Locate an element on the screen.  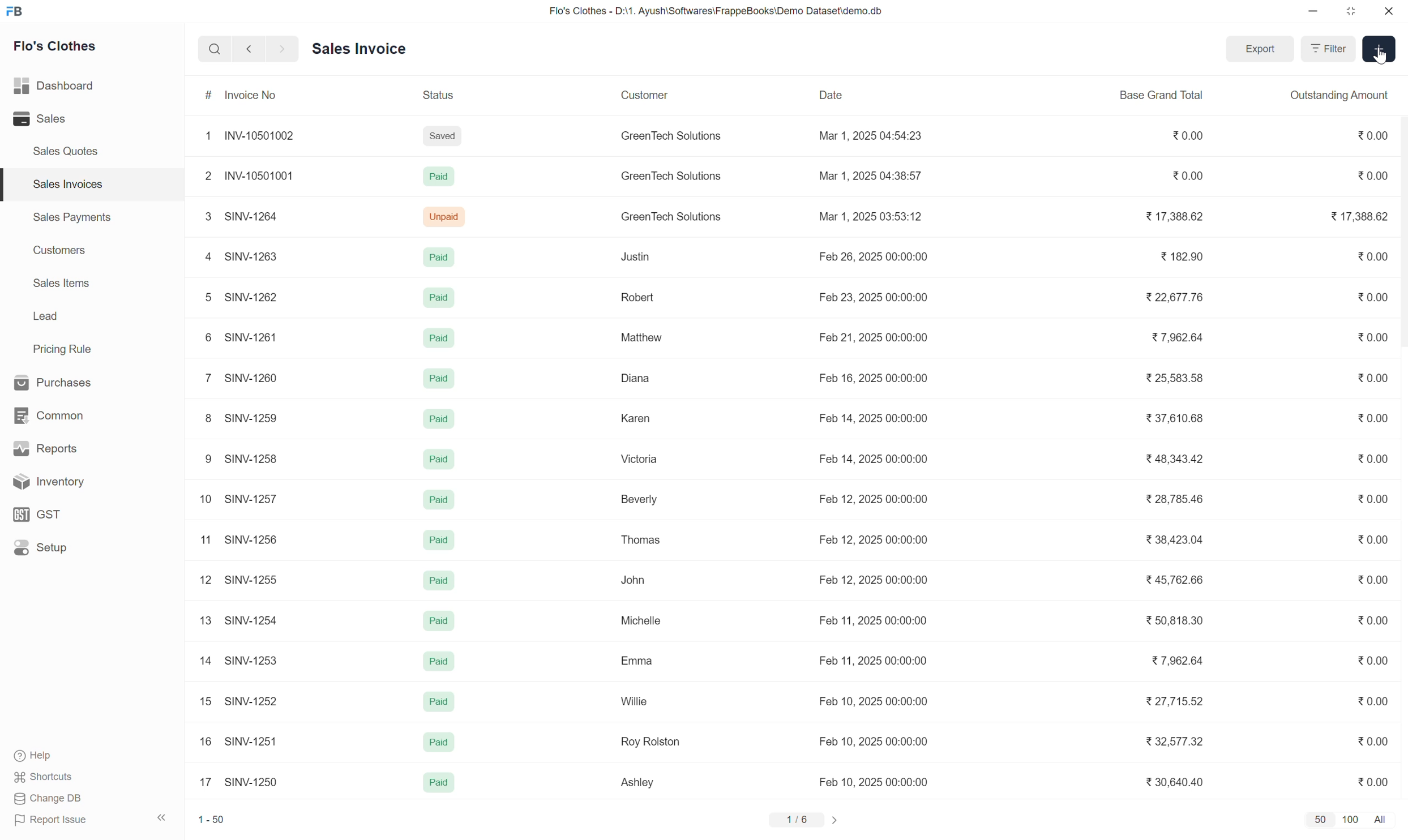
Feb 14, 2025 00:00:00 is located at coordinates (874, 461).